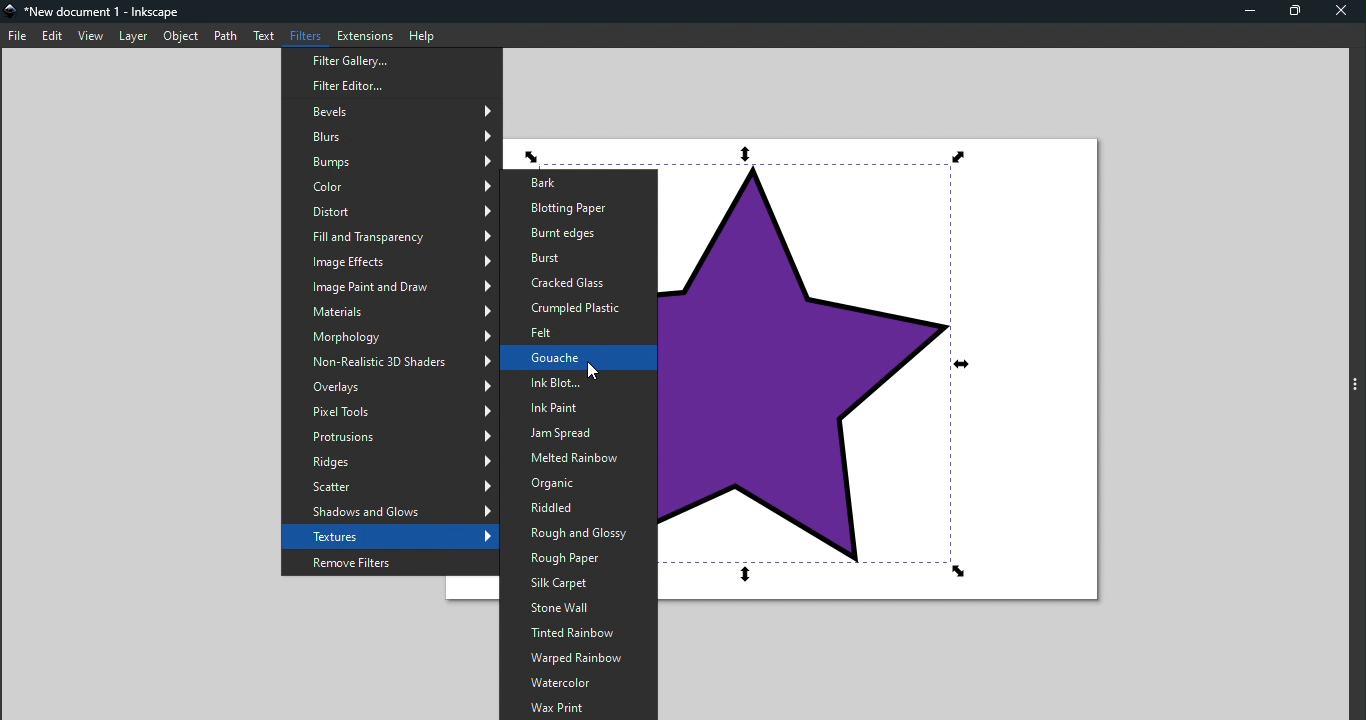  I want to click on Shadows and glows, so click(391, 512).